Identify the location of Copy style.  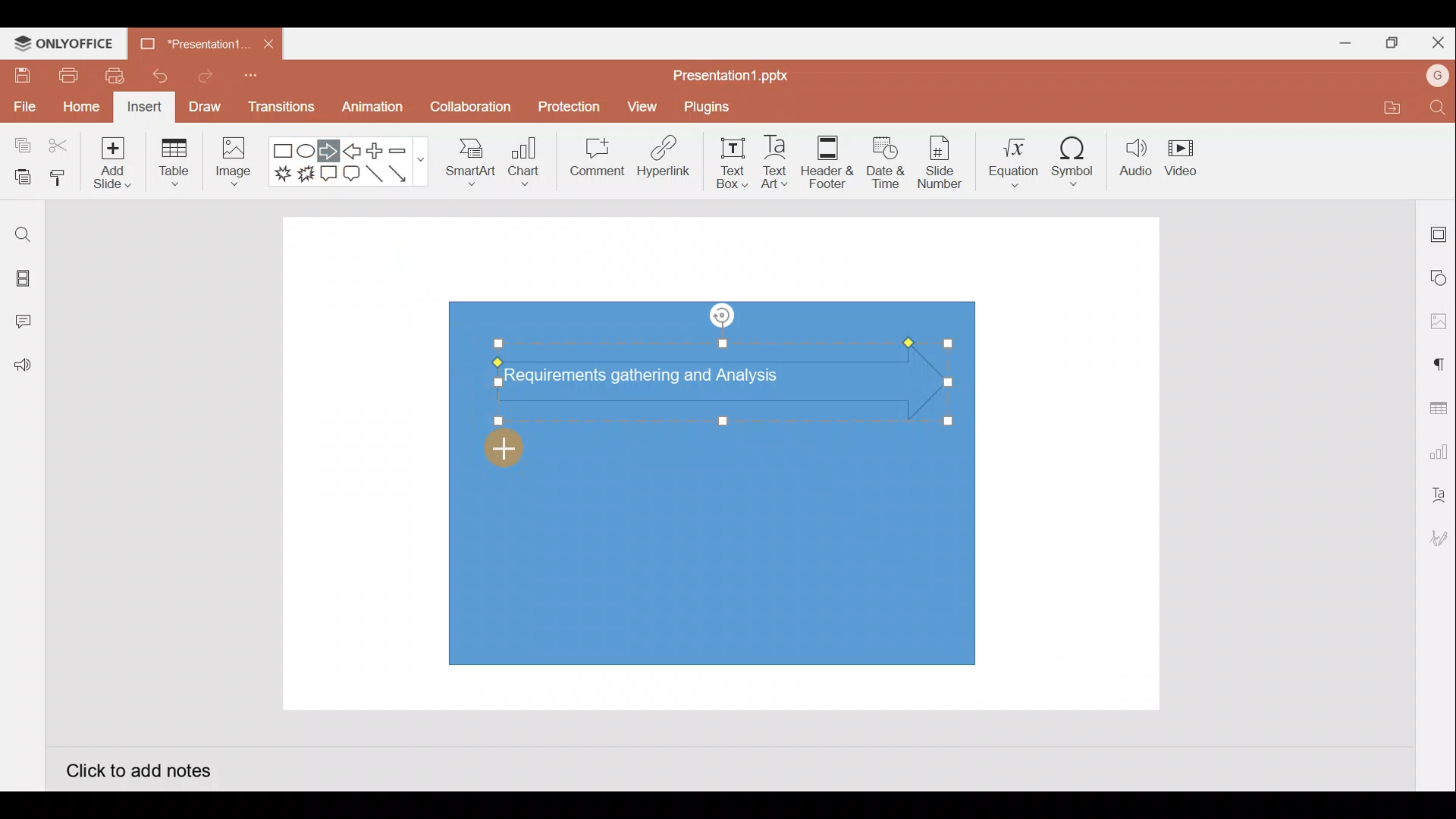
(59, 180).